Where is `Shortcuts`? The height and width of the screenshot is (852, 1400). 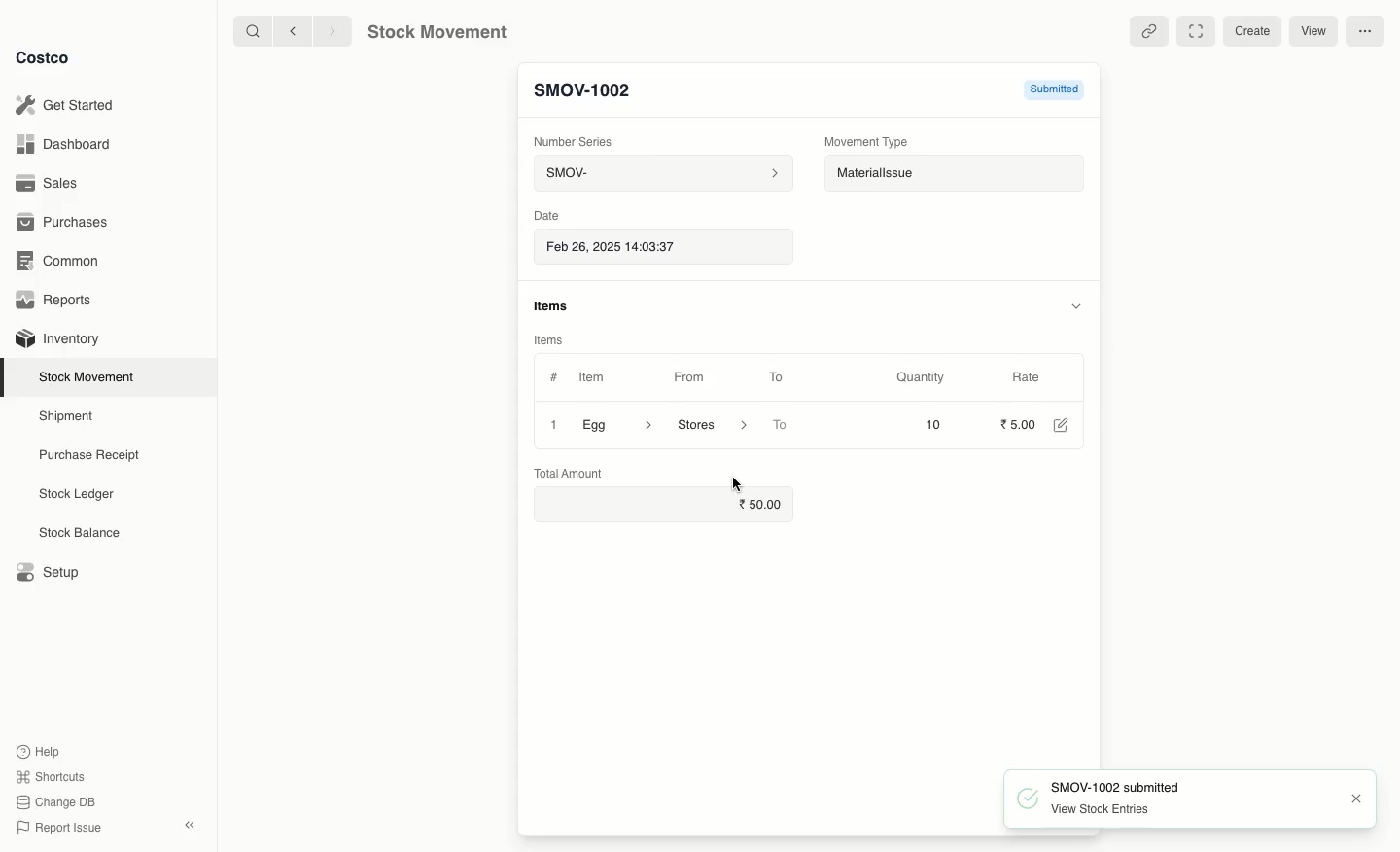
Shortcuts is located at coordinates (51, 774).